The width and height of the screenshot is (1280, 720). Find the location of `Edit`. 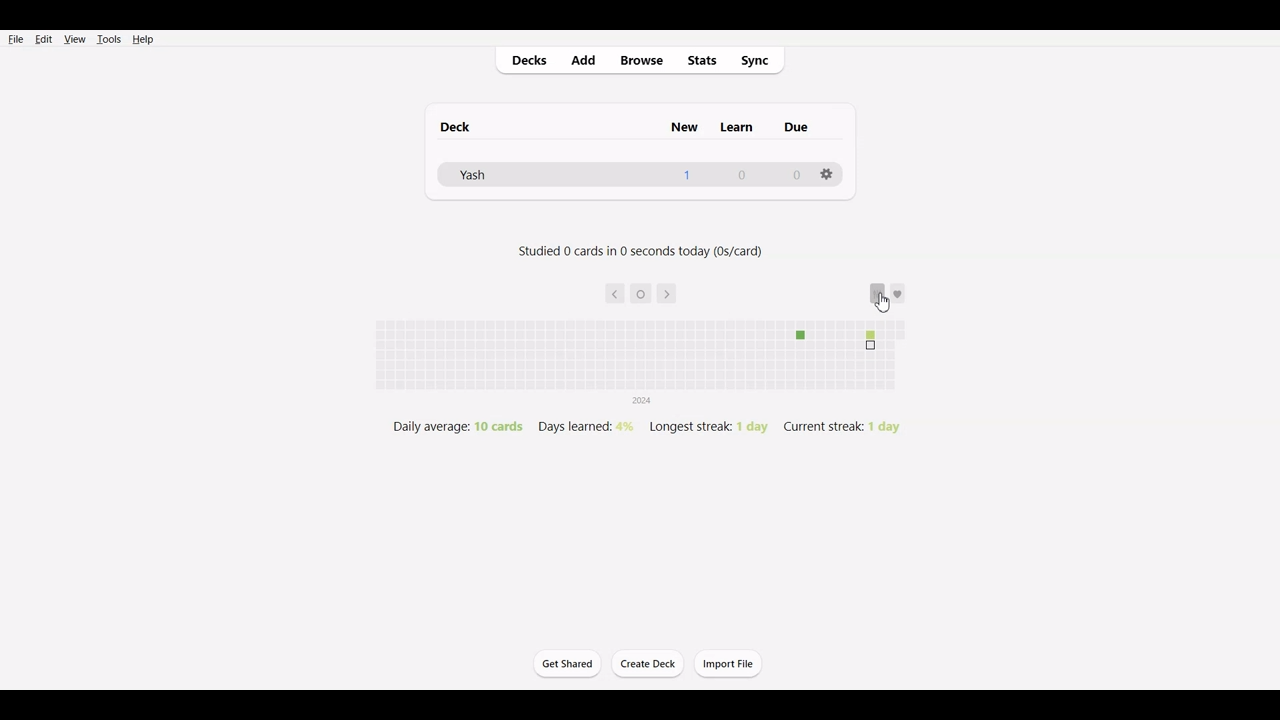

Edit is located at coordinates (43, 39).